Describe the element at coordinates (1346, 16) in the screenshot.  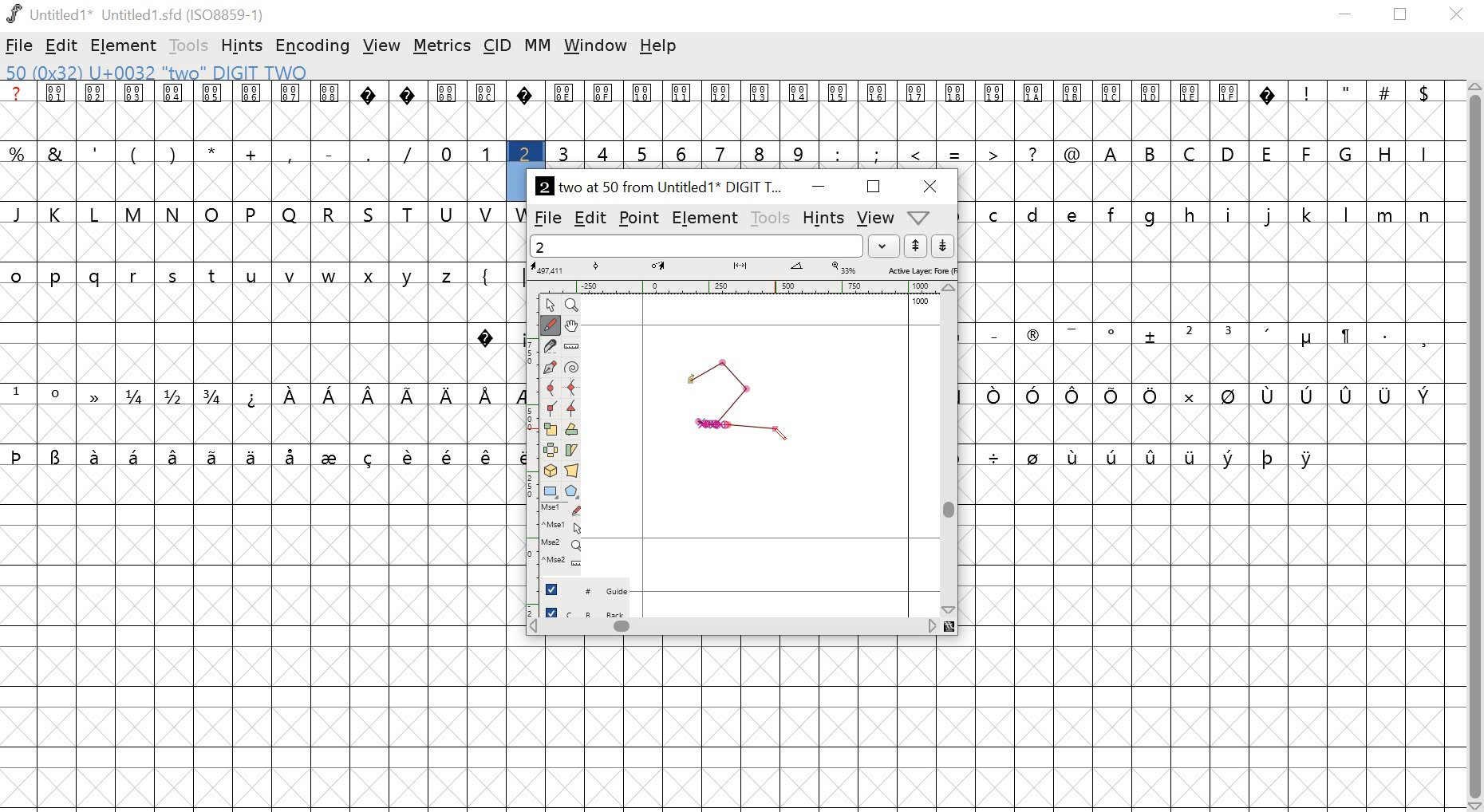
I see `minimize` at that location.